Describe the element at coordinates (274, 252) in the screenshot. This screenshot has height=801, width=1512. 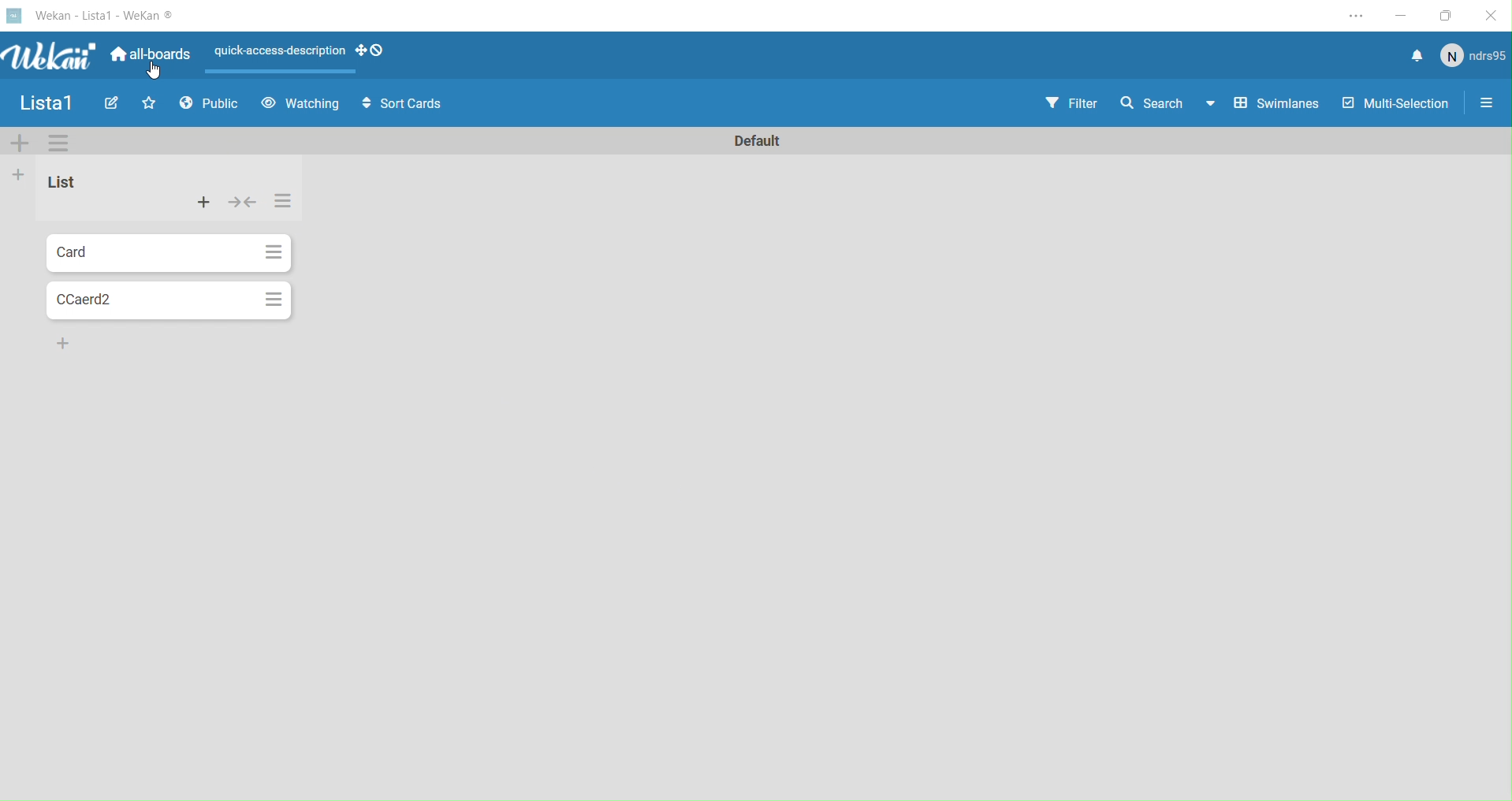
I see `Options` at that location.